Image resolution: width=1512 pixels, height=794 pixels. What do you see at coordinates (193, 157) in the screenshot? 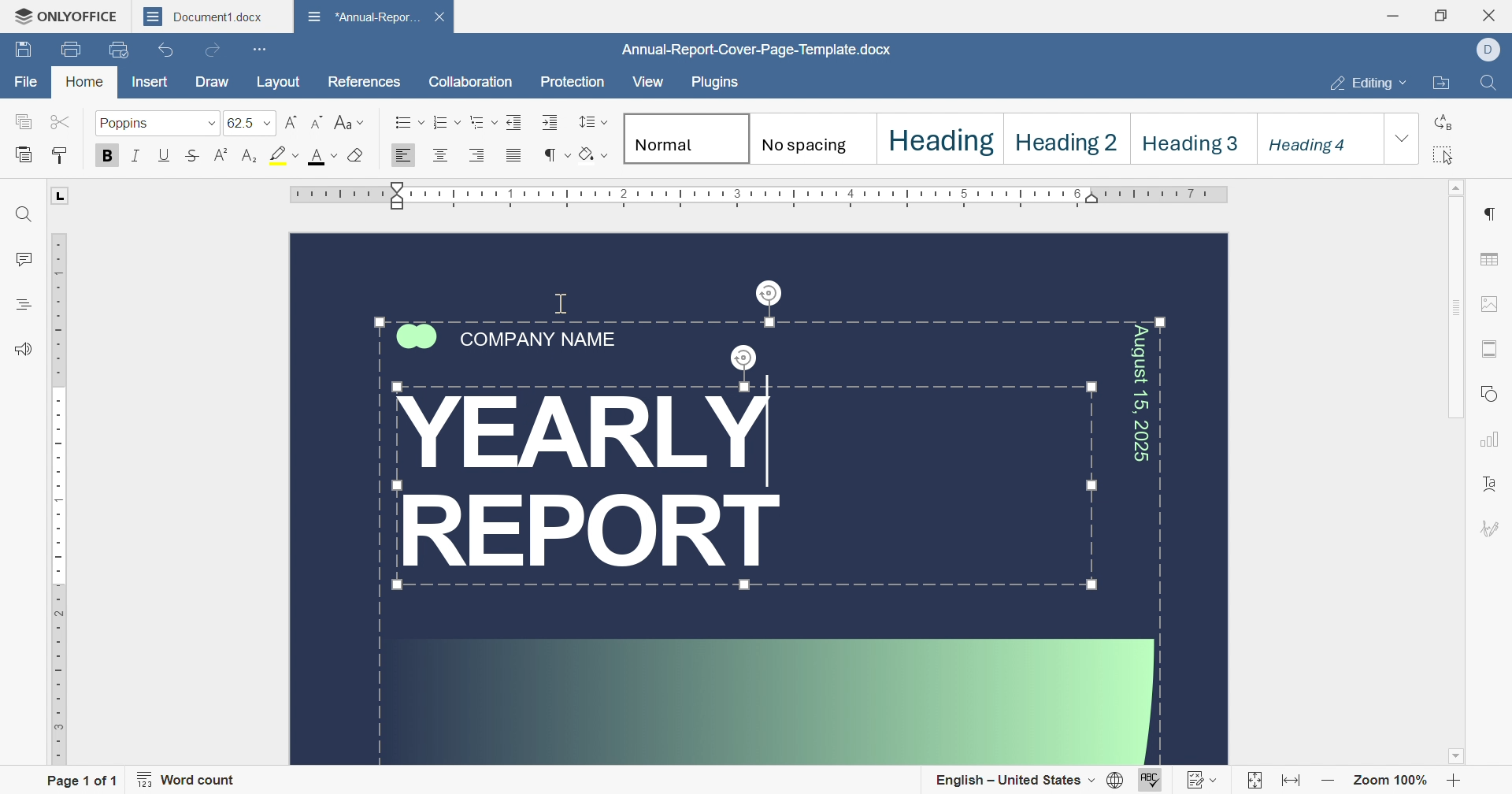
I see `strikethrough` at bounding box center [193, 157].